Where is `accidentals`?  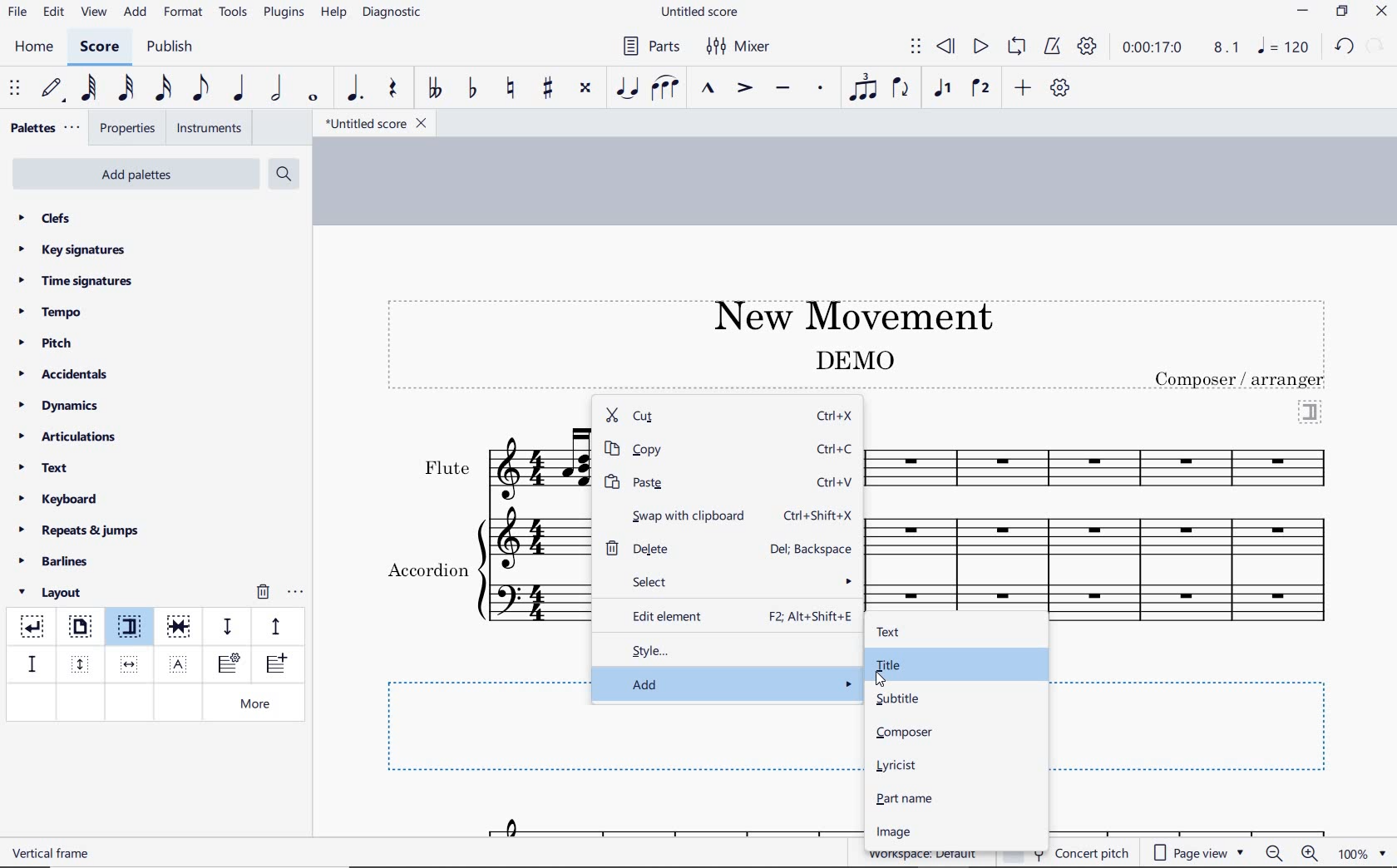 accidentals is located at coordinates (66, 373).